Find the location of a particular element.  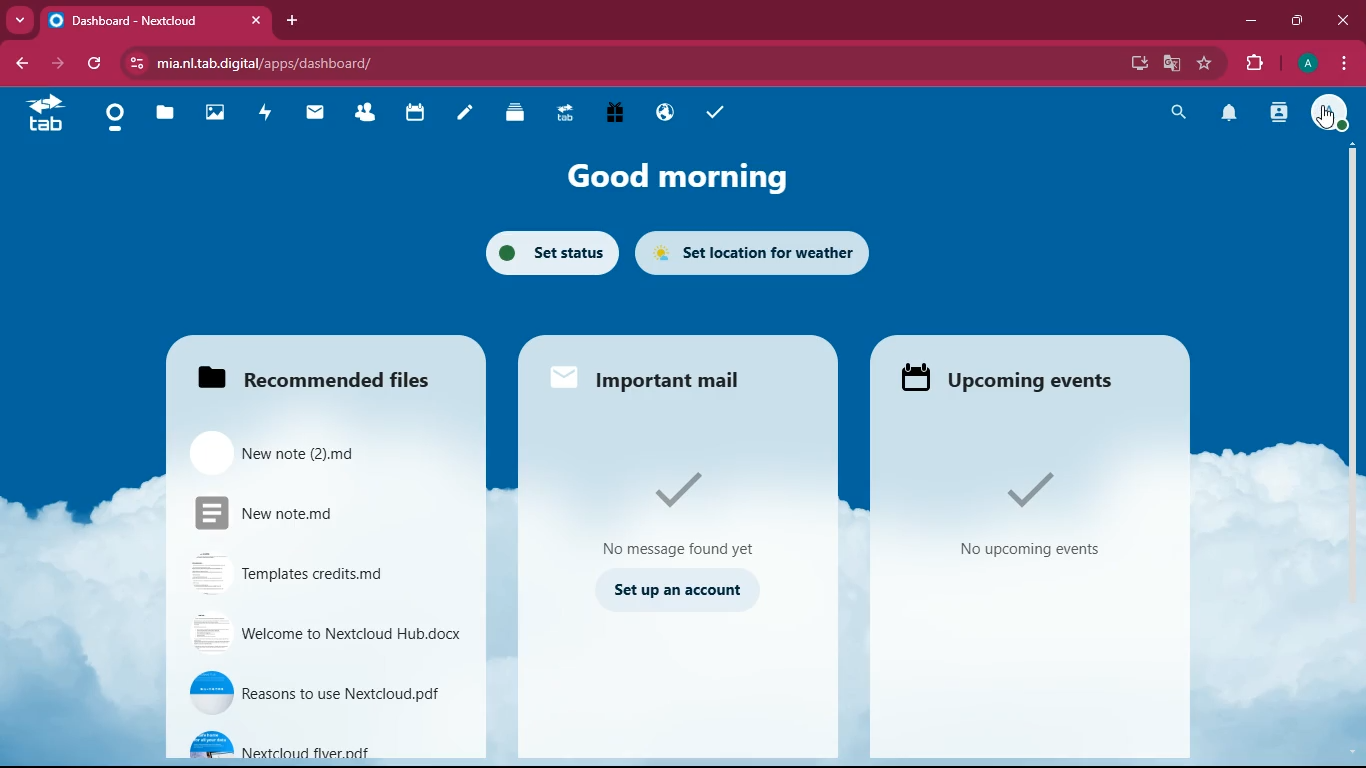

refresh is located at coordinates (95, 65).